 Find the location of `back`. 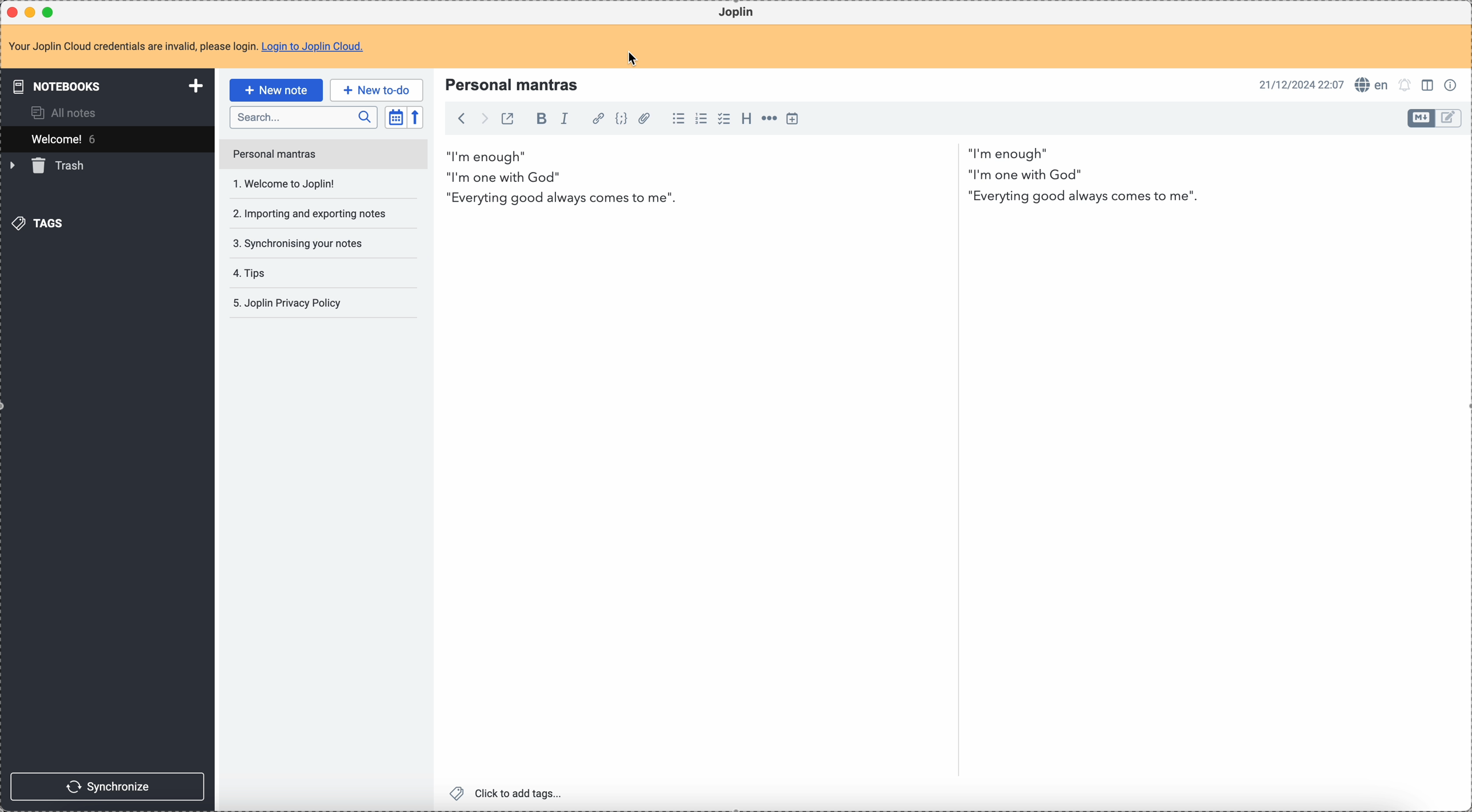

back is located at coordinates (461, 119).